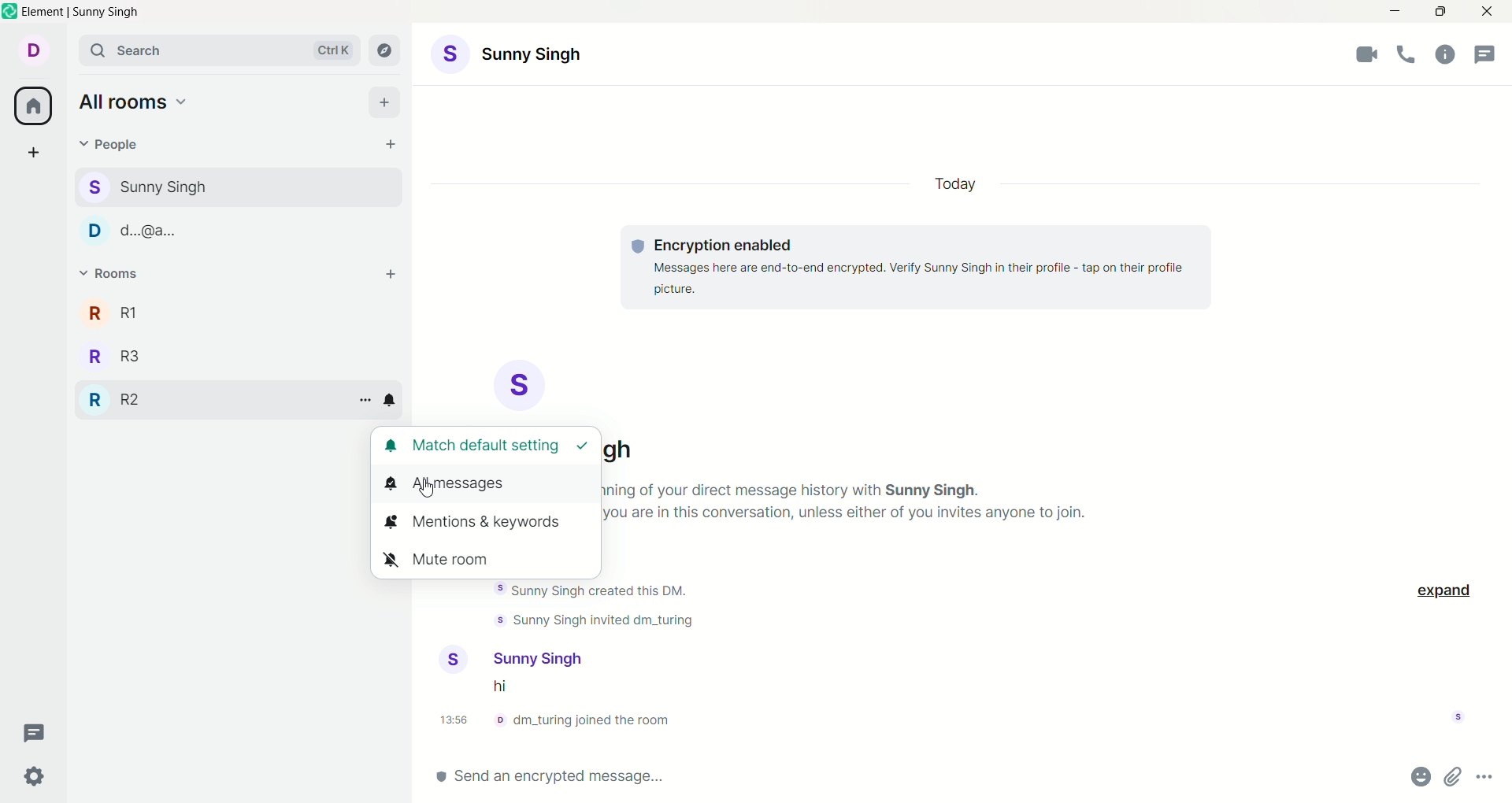 The width and height of the screenshot is (1512, 803). Describe the element at coordinates (1409, 56) in the screenshot. I see `voice call` at that location.